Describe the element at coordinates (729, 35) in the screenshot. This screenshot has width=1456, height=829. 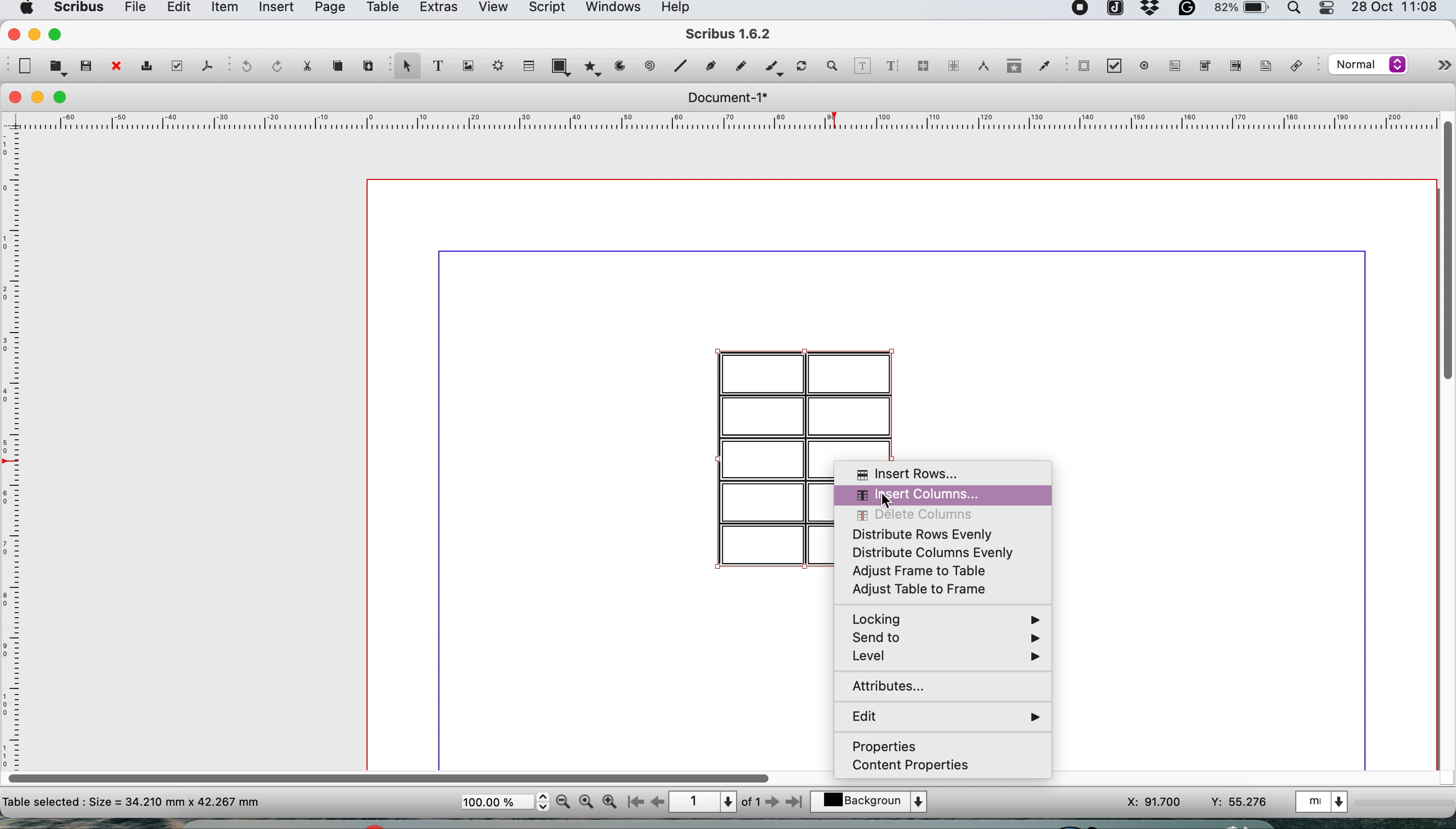
I see `scribus` at that location.